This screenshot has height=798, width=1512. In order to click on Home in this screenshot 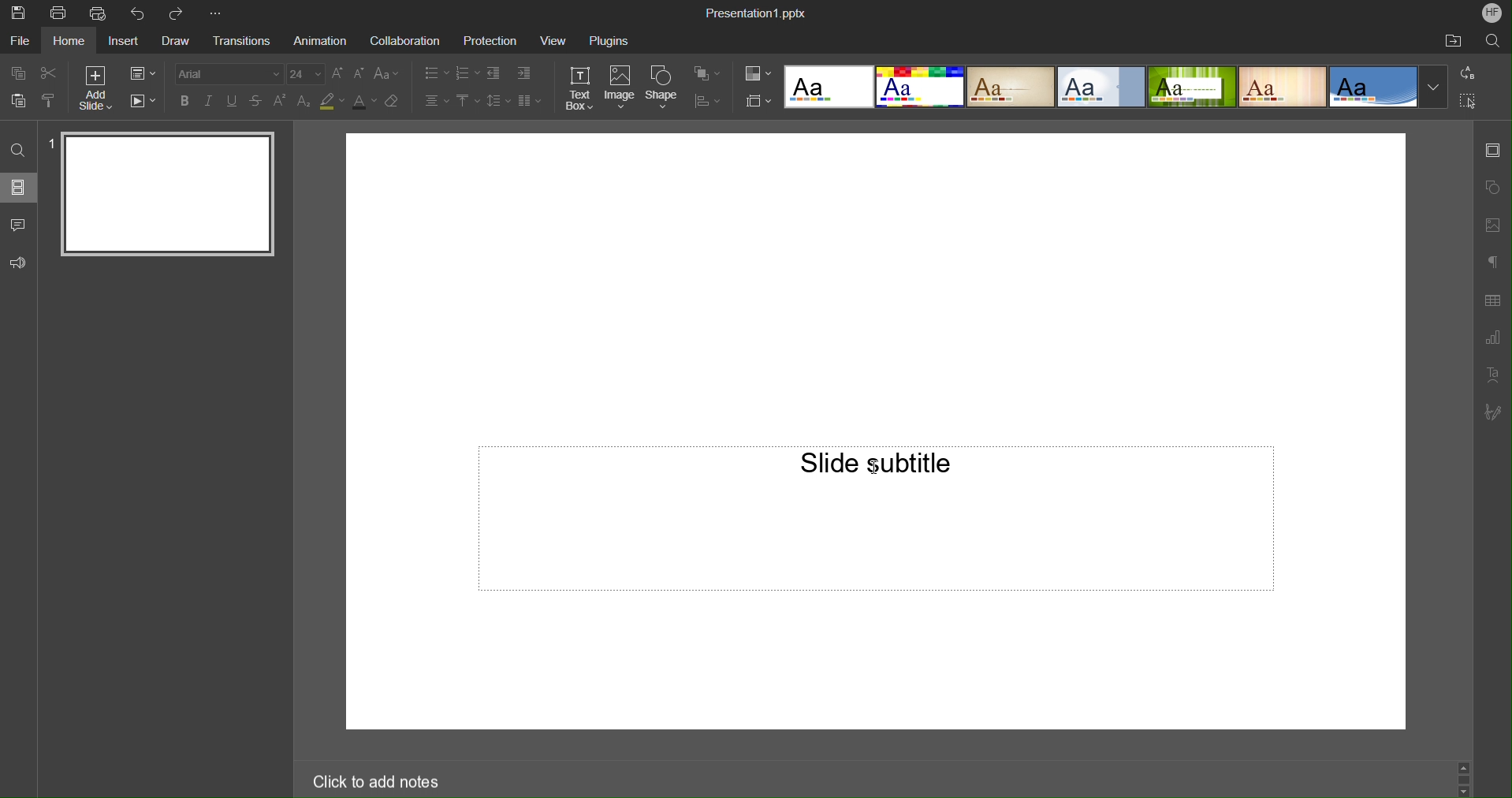, I will do `click(69, 42)`.